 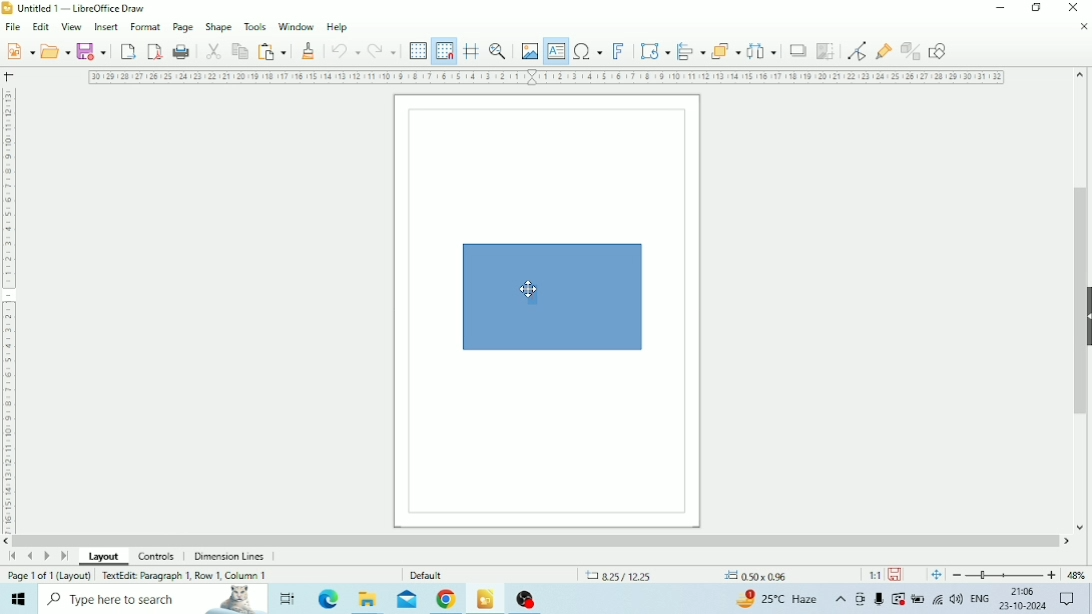 What do you see at coordinates (860, 599) in the screenshot?
I see `Meet Now` at bounding box center [860, 599].